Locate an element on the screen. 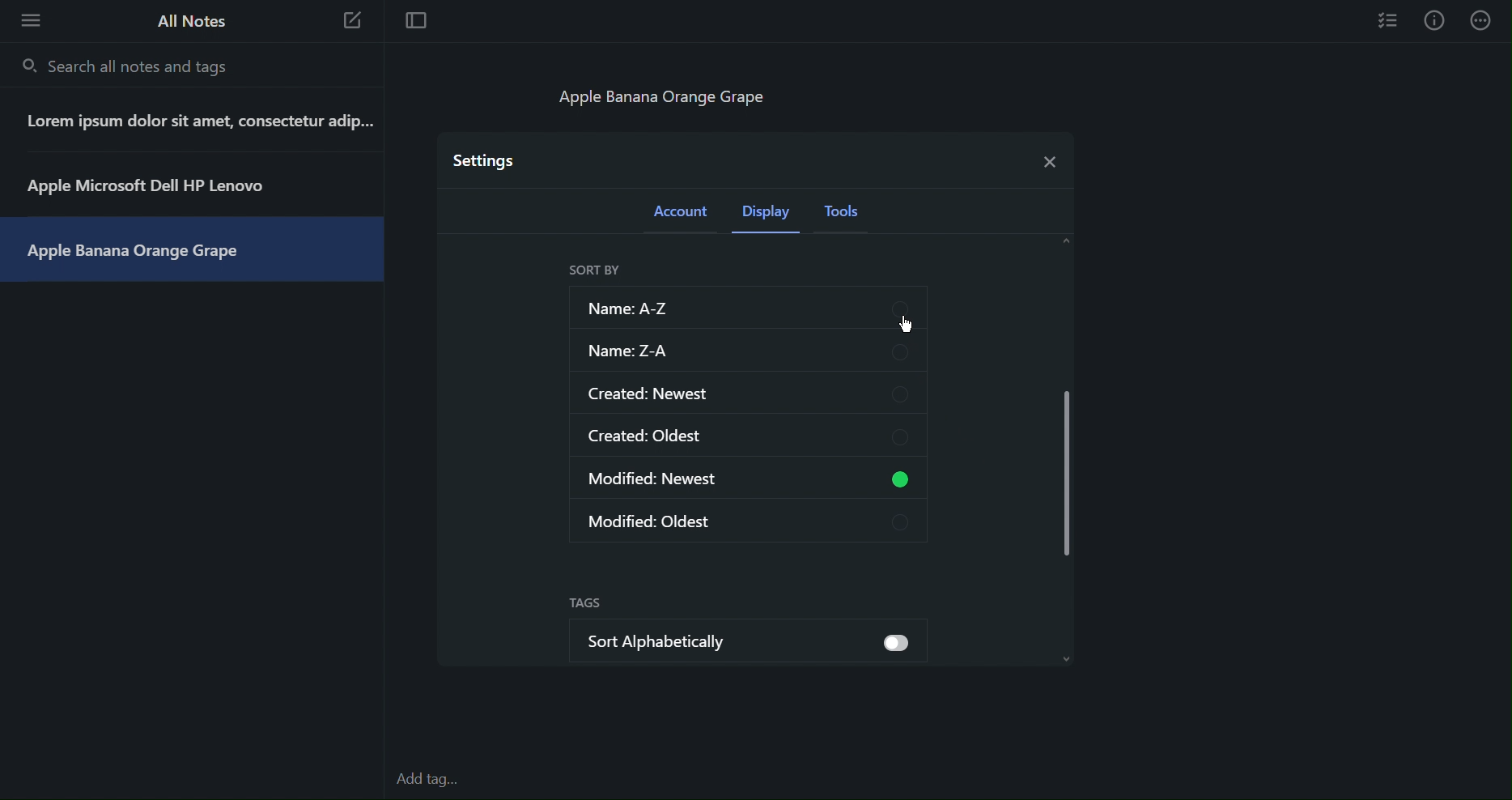 The height and width of the screenshot is (800, 1512). Sor Alphabetically is located at coordinates (720, 639).